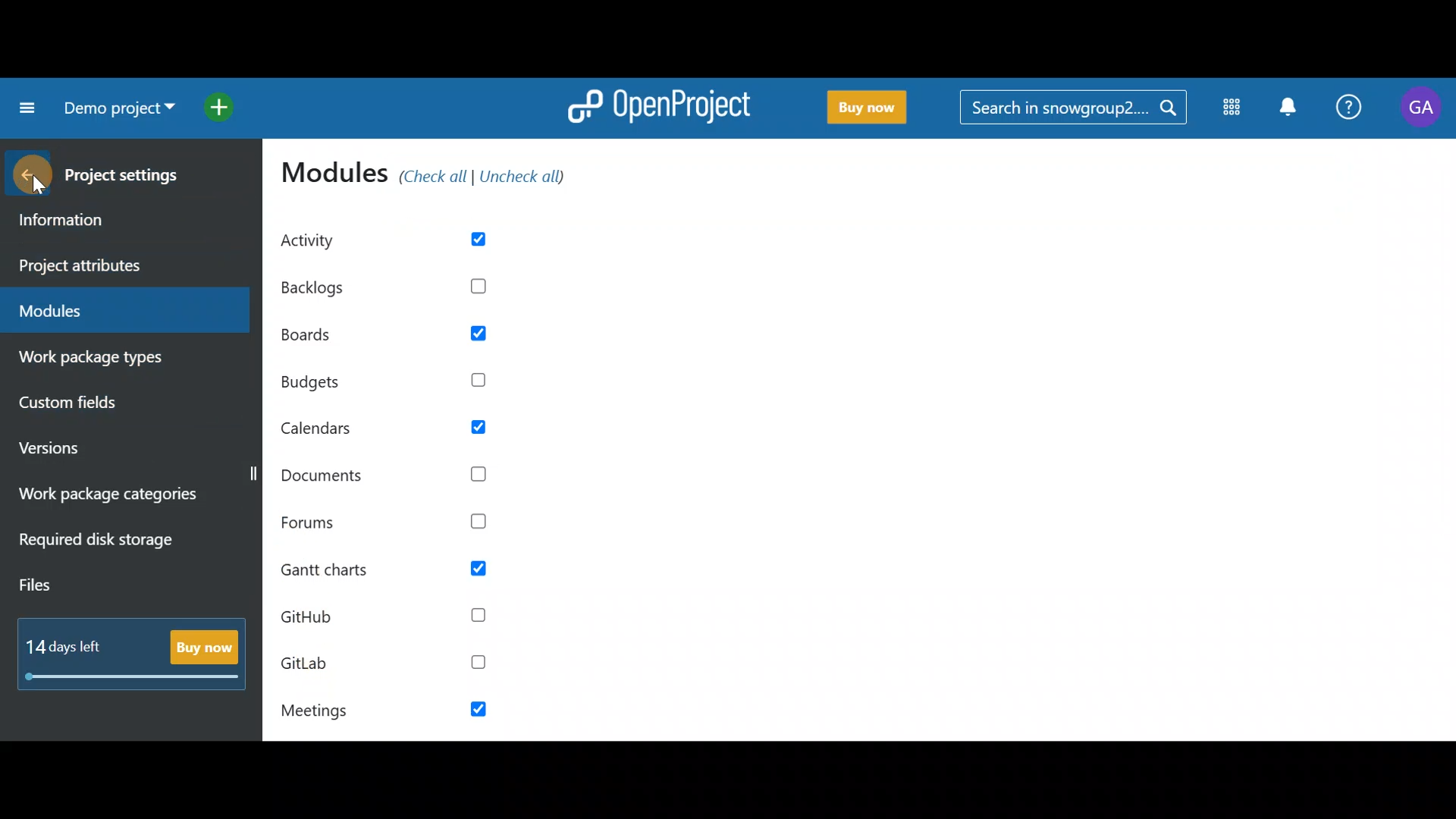 This screenshot has width=1456, height=819. I want to click on Documents, so click(392, 472).